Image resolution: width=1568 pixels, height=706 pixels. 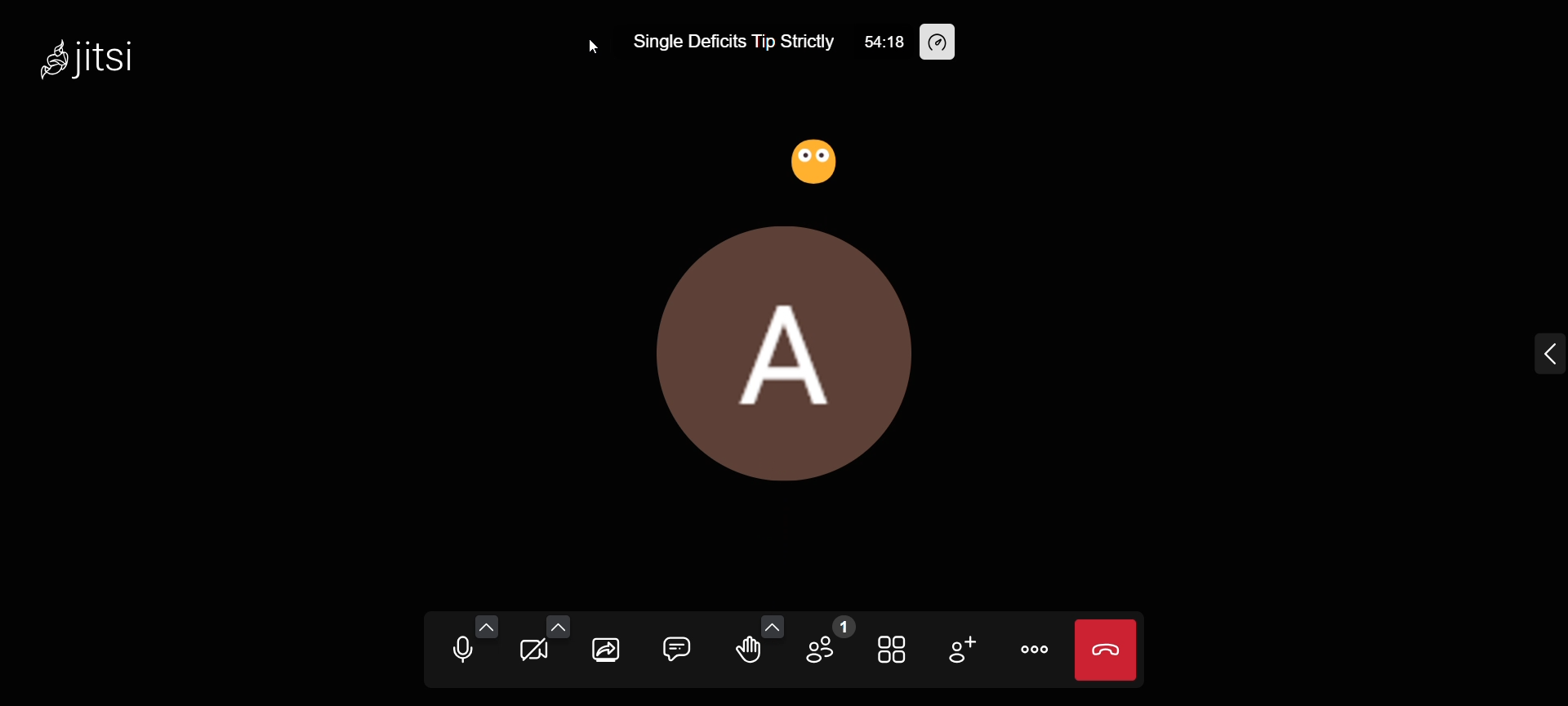 I want to click on Silence Reaction, so click(x=817, y=161).